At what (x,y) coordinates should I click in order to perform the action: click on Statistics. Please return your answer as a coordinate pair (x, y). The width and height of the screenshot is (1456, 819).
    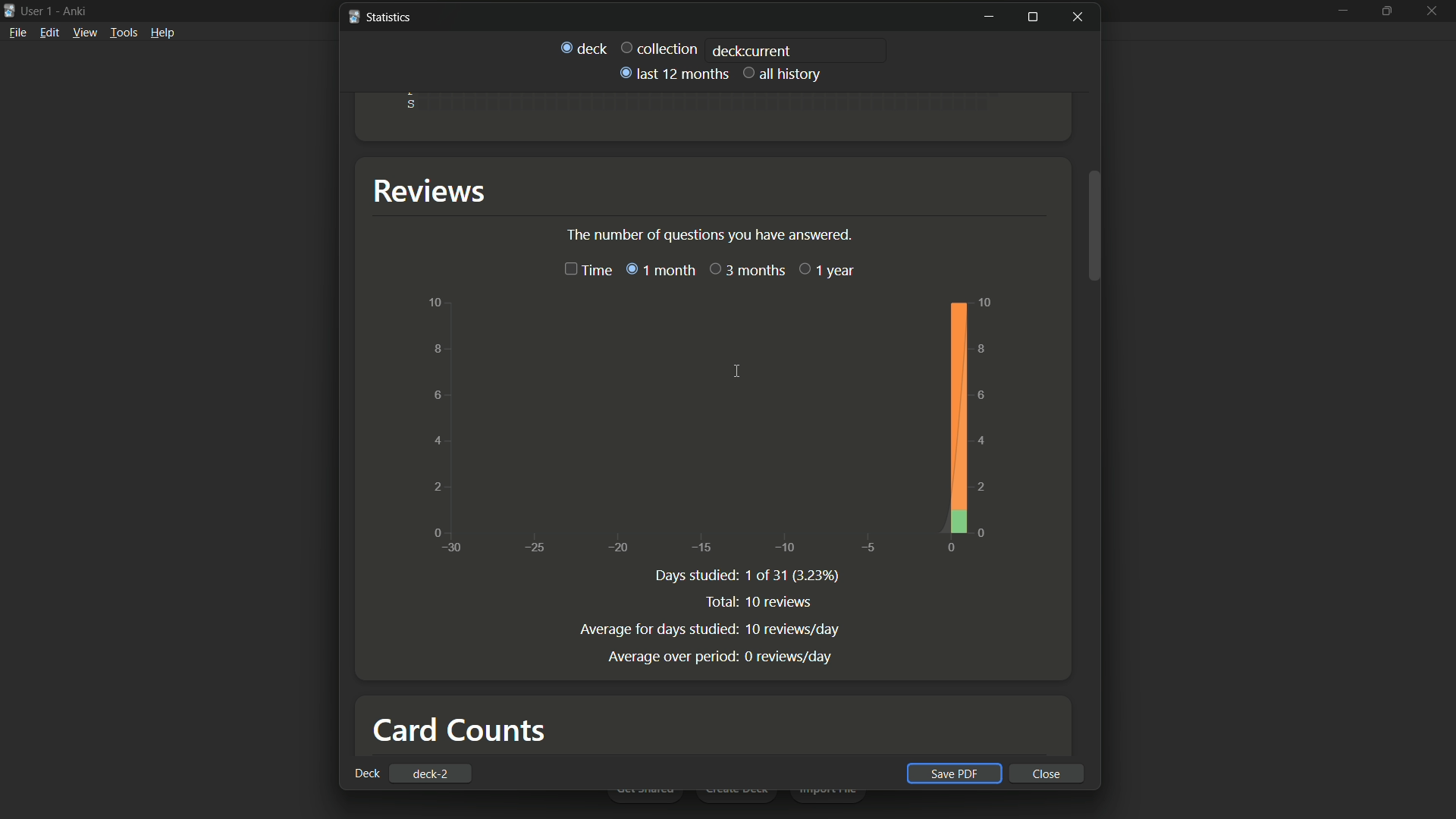
    Looking at the image, I should click on (380, 18).